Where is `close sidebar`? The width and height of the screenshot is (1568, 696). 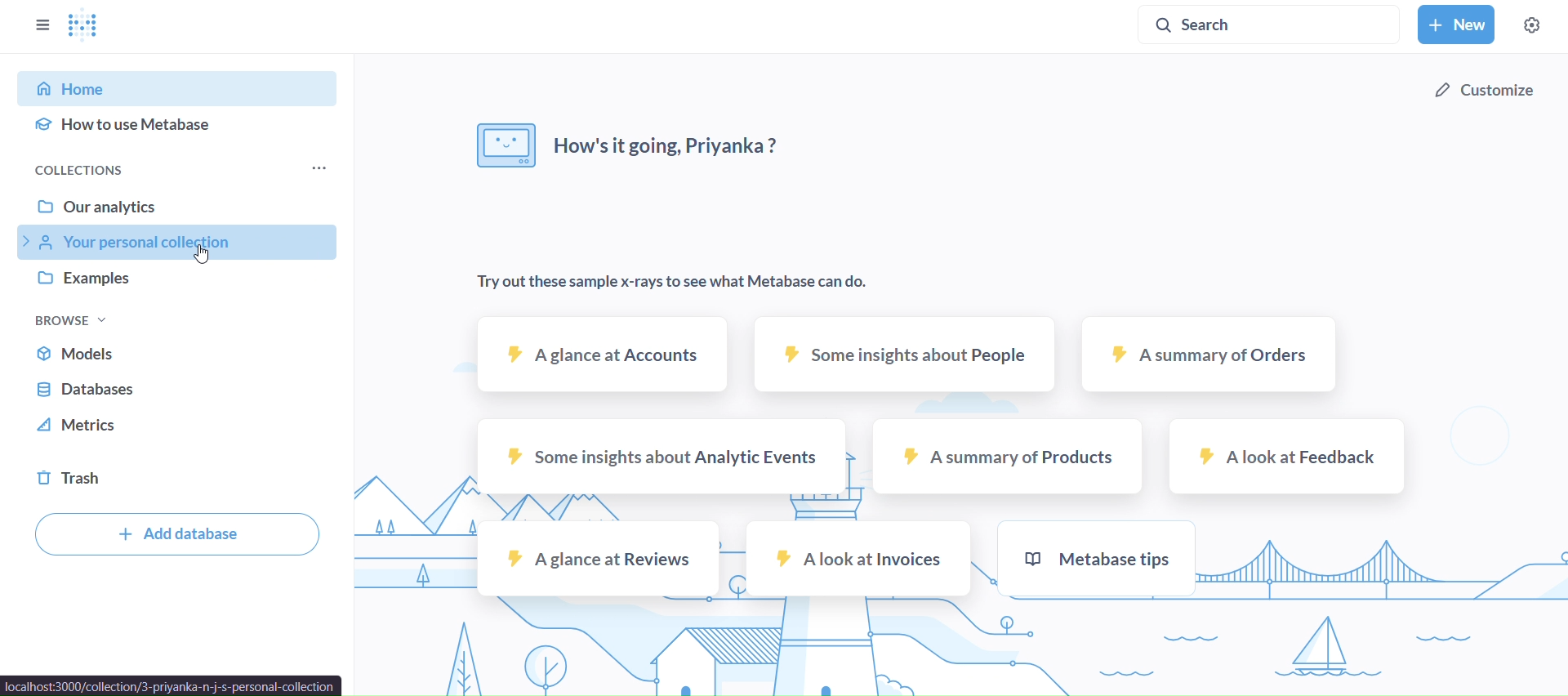
close sidebar is located at coordinates (45, 25).